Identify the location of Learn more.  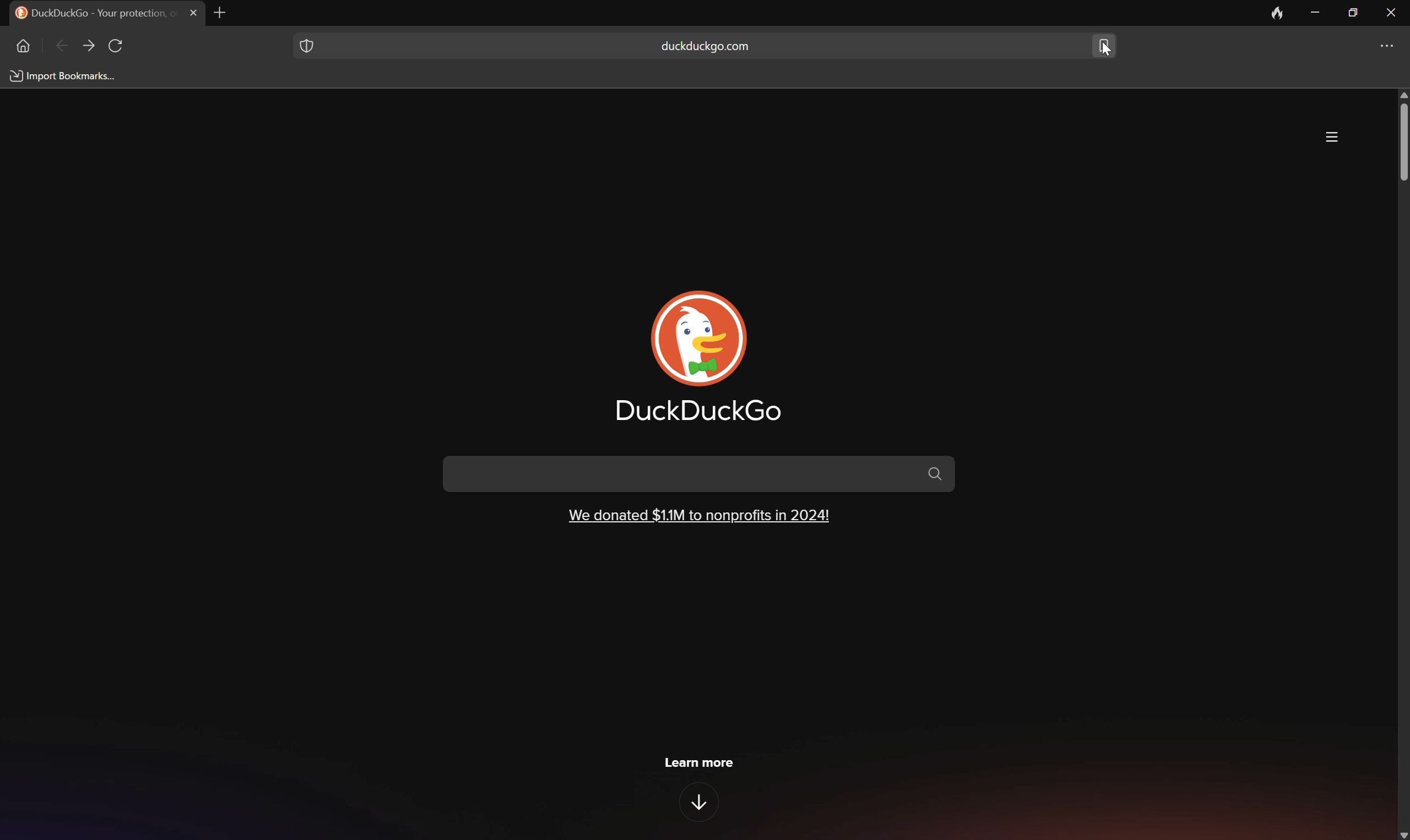
(700, 761).